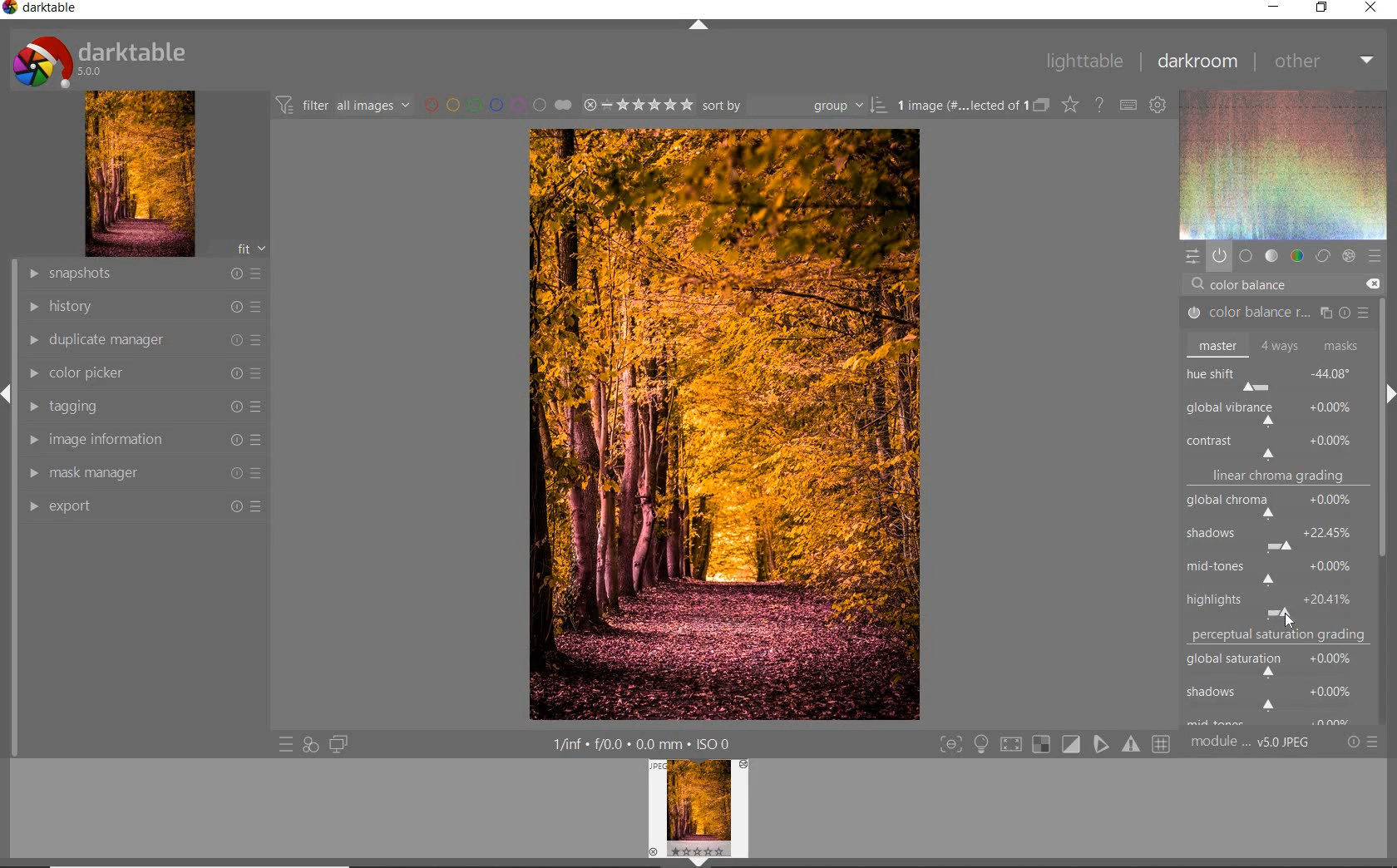 Image resolution: width=1397 pixels, height=868 pixels. I want to click on quick access to preset, so click(285, 742).